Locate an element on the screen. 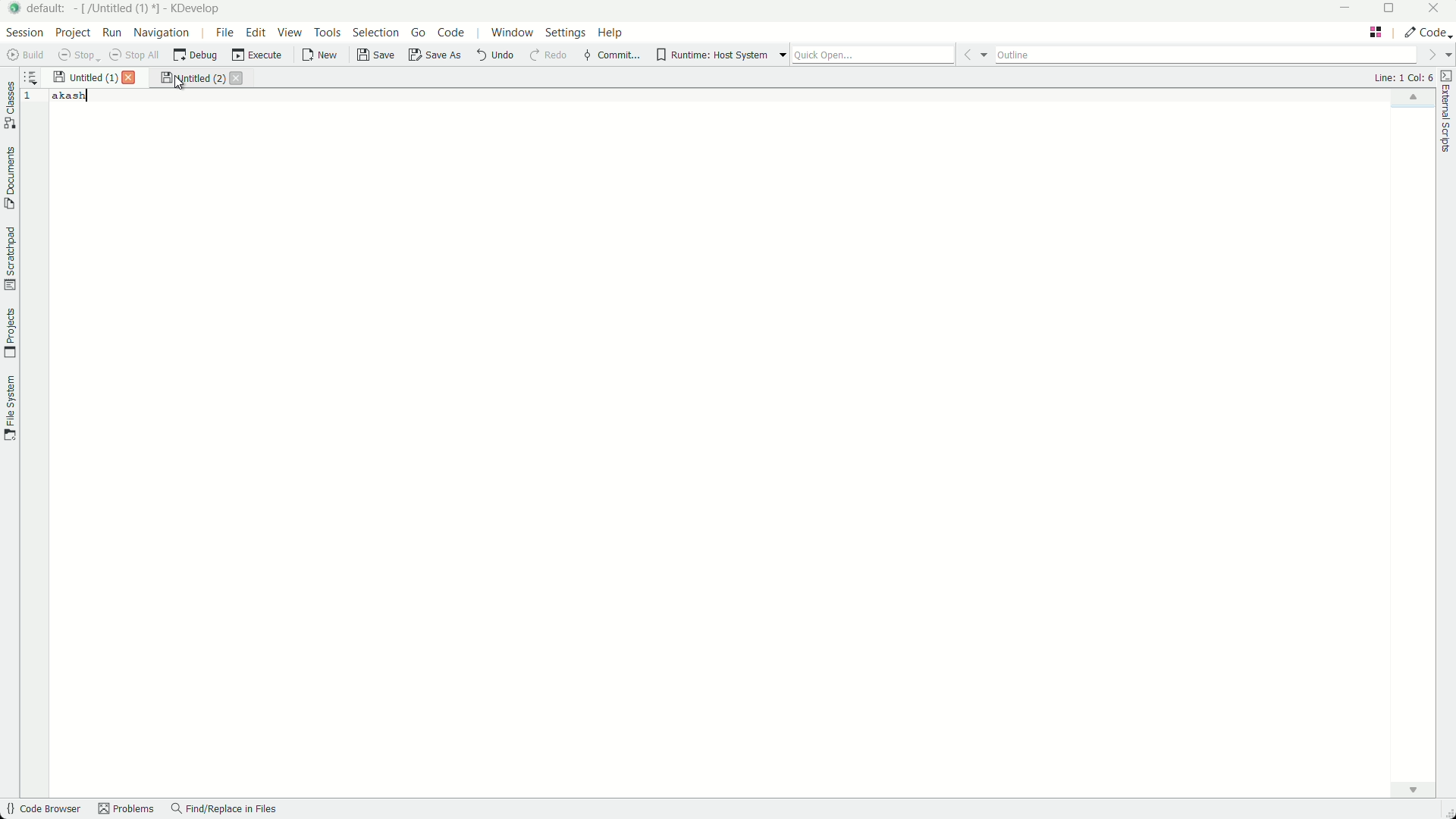 This screenshot has height=819, width=1456. maximize or restore is located at coordinates (1395, 10).